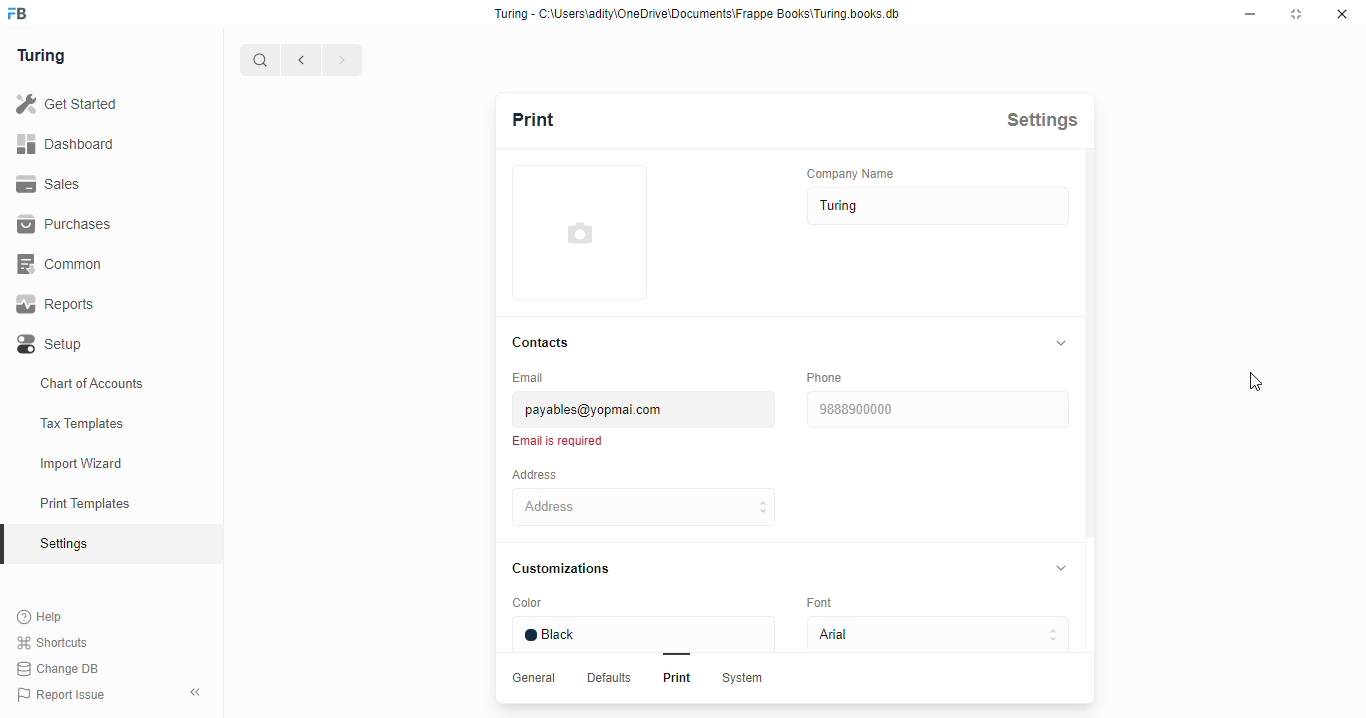 Image resolution: width=1366 pixels, height=718 pixels. What do you see at coordinates (548, 474) in the screenshot?
I see `‘Address` at bounding box center [548, 474].